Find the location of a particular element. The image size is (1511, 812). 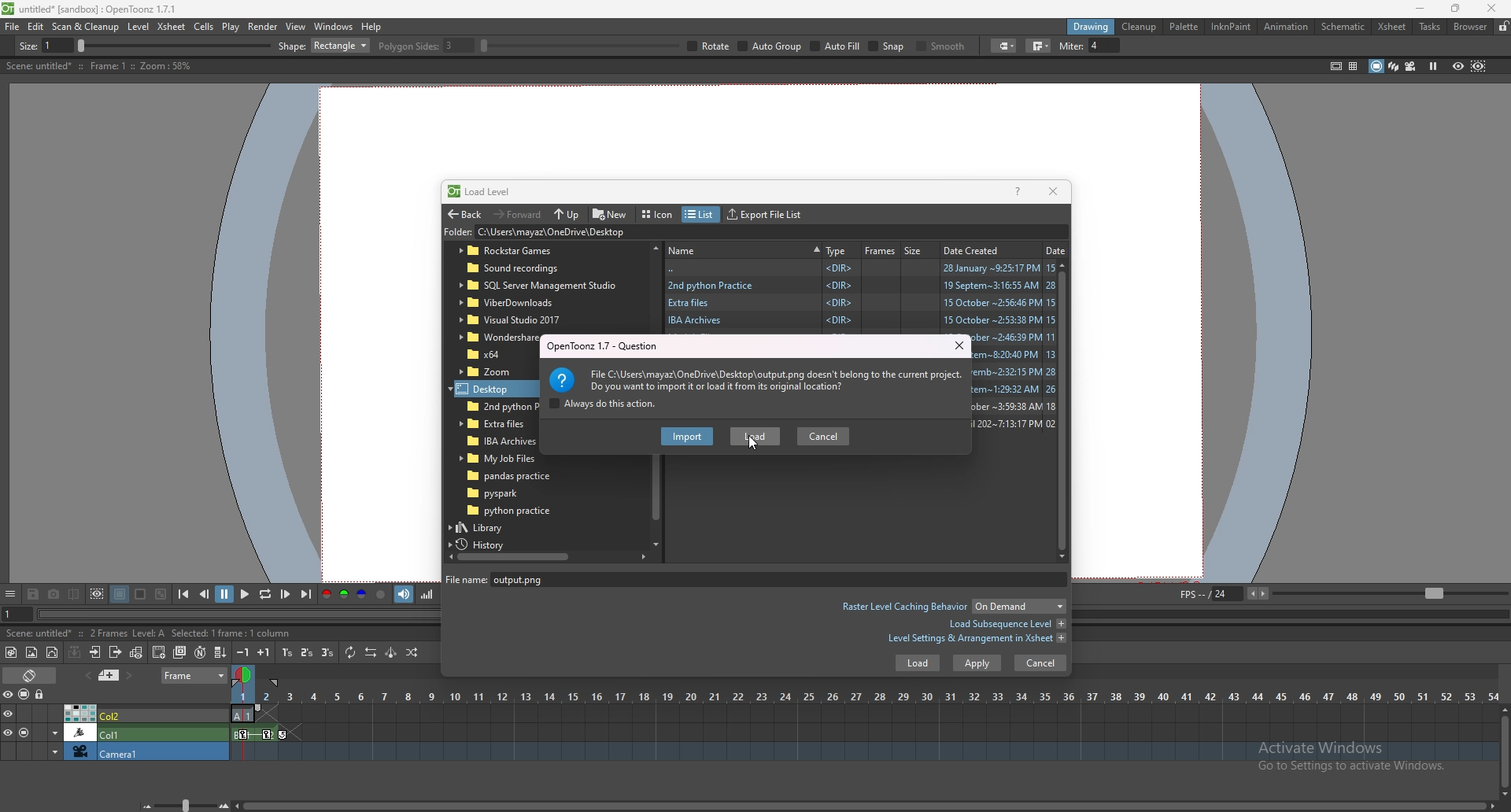

folder is located at coordinates (495, 441).